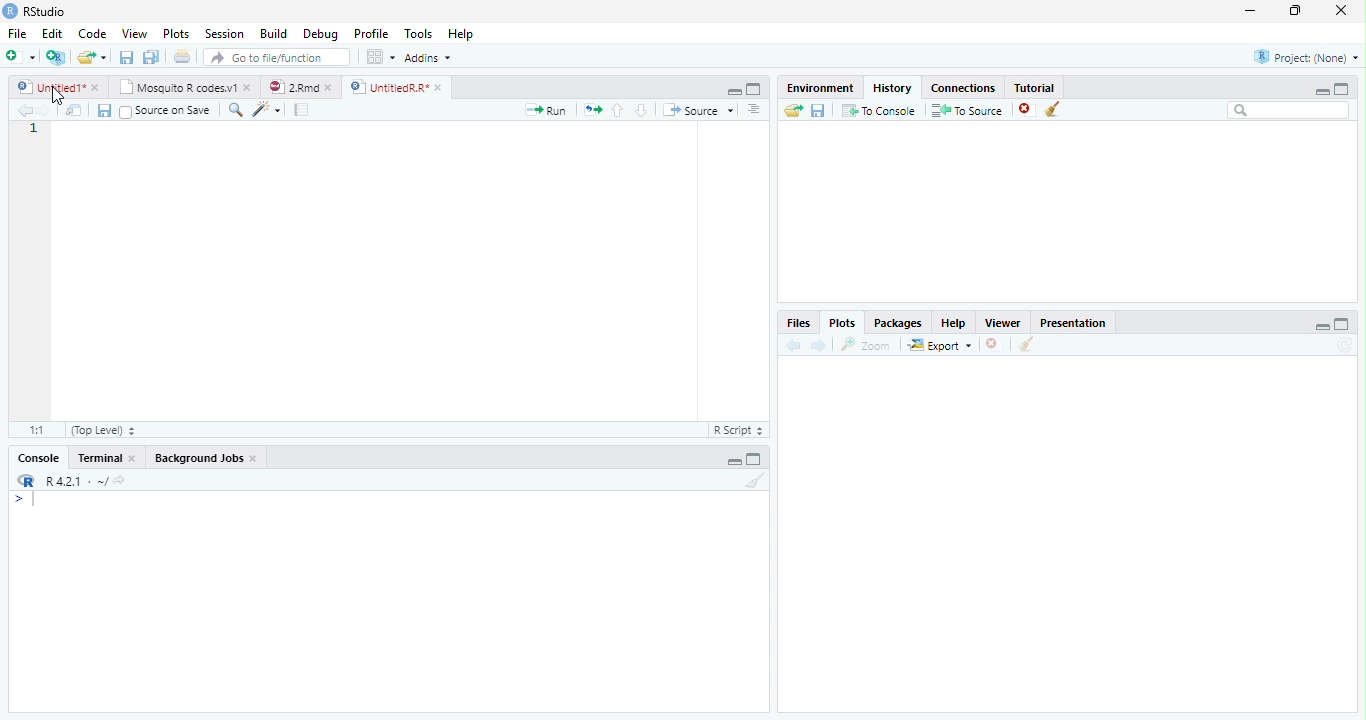  Describe the element at coordinates (267, 109) in the screenshot. I see `Code tools` at that location.